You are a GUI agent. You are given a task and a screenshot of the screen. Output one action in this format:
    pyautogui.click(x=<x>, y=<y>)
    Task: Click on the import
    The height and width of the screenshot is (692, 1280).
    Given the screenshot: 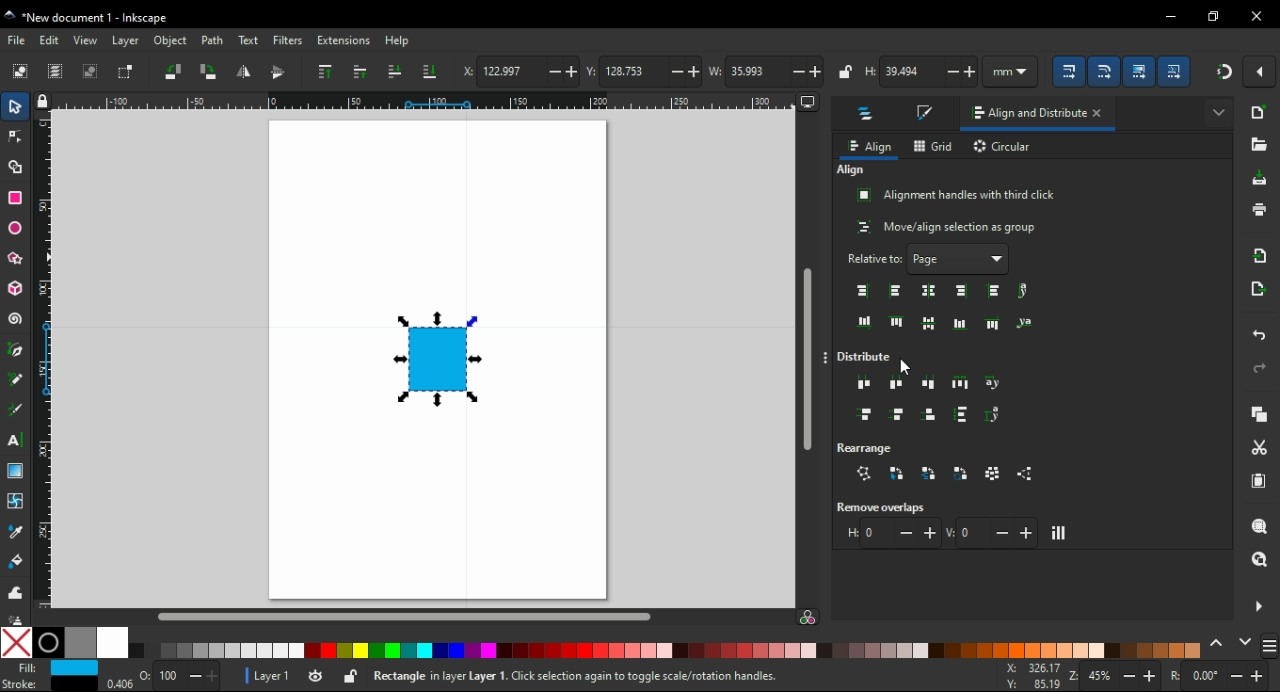 What is the action you would take?
    pyautogui.click(x=1263, y=255)
    